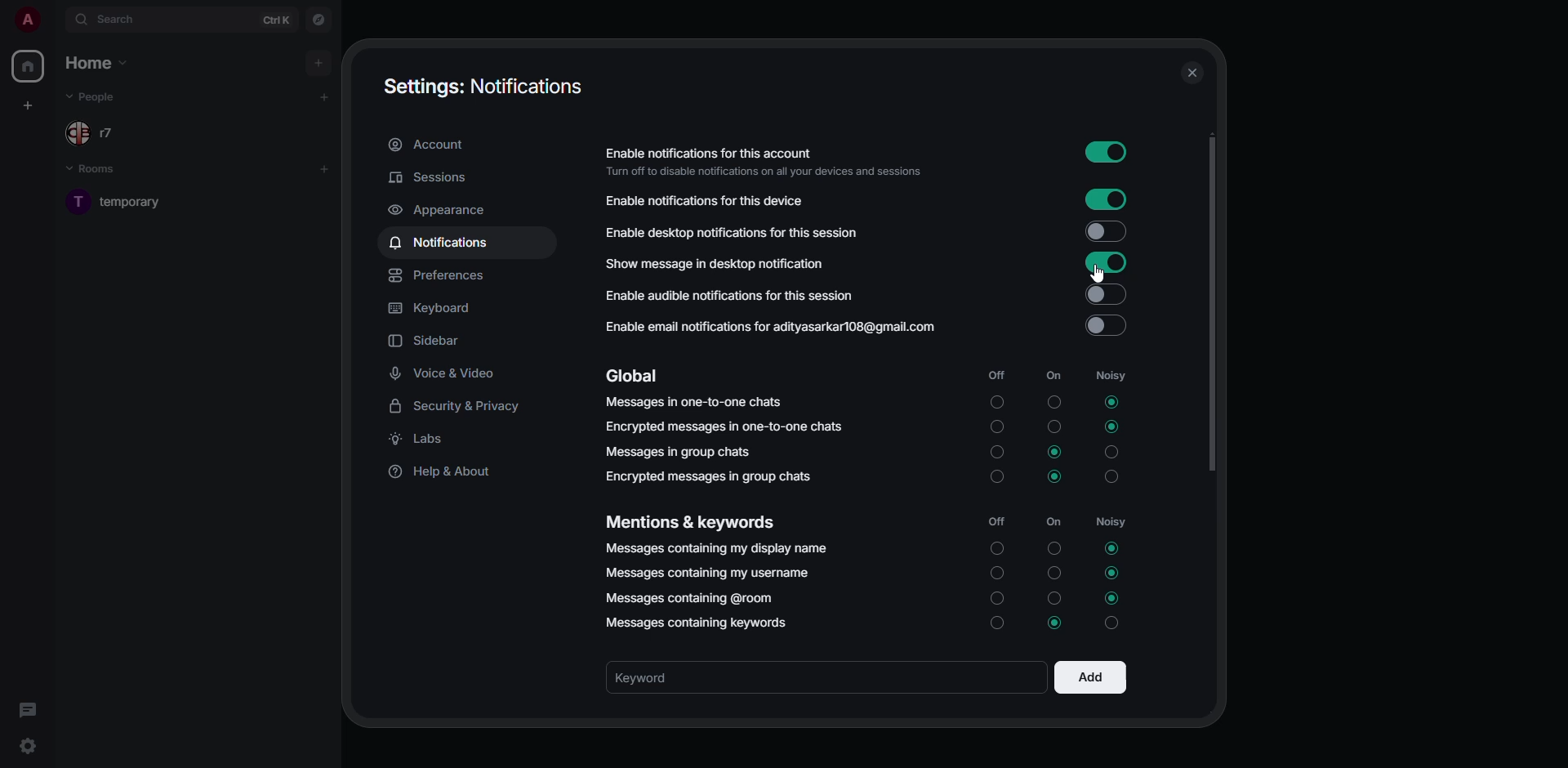 The width and height of the screenshot is (1568, 768). I want to click on close, so click(1196, 73).